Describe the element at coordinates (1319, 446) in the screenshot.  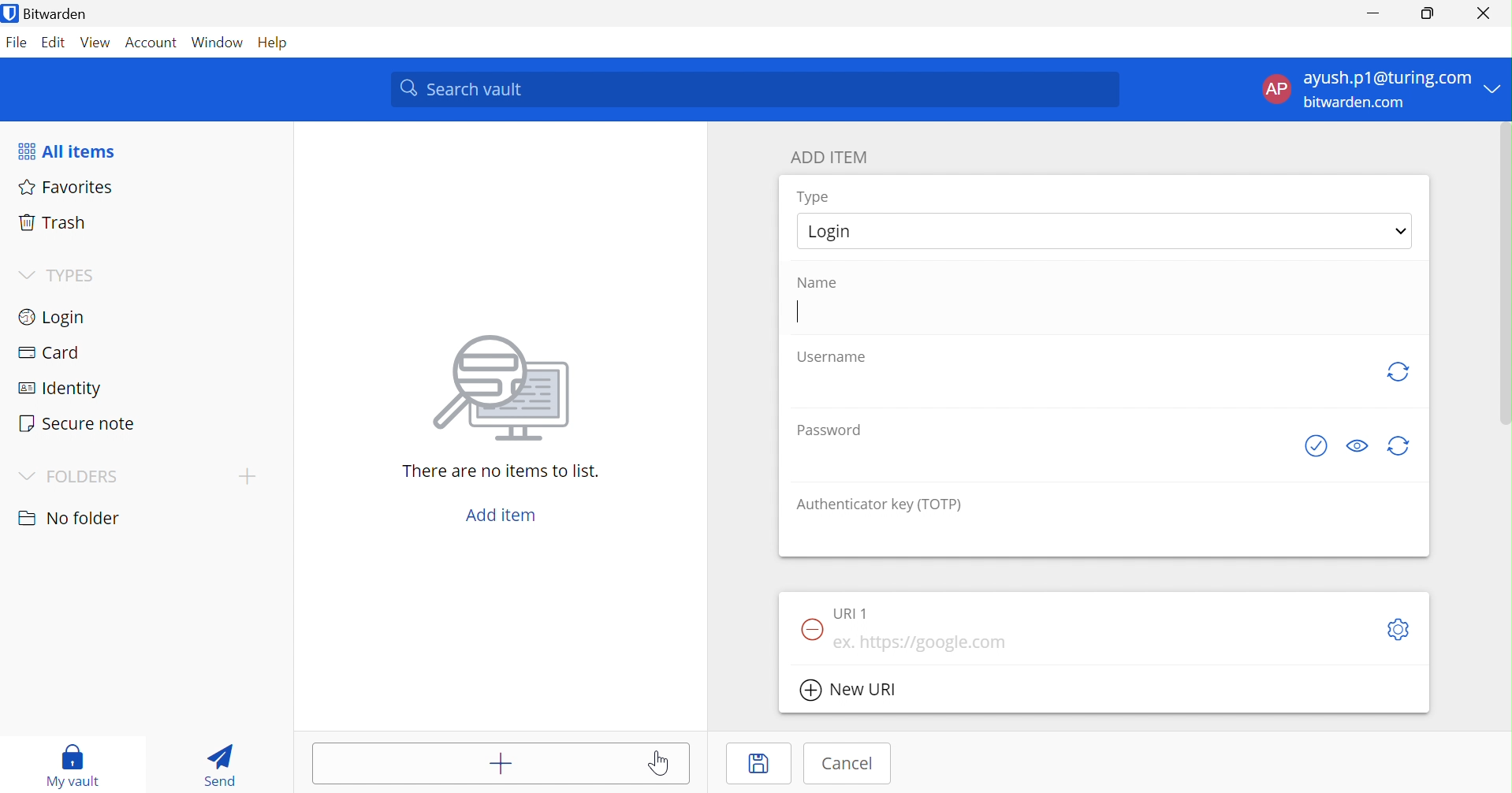
I see `Check if password has been exposed` at that location.